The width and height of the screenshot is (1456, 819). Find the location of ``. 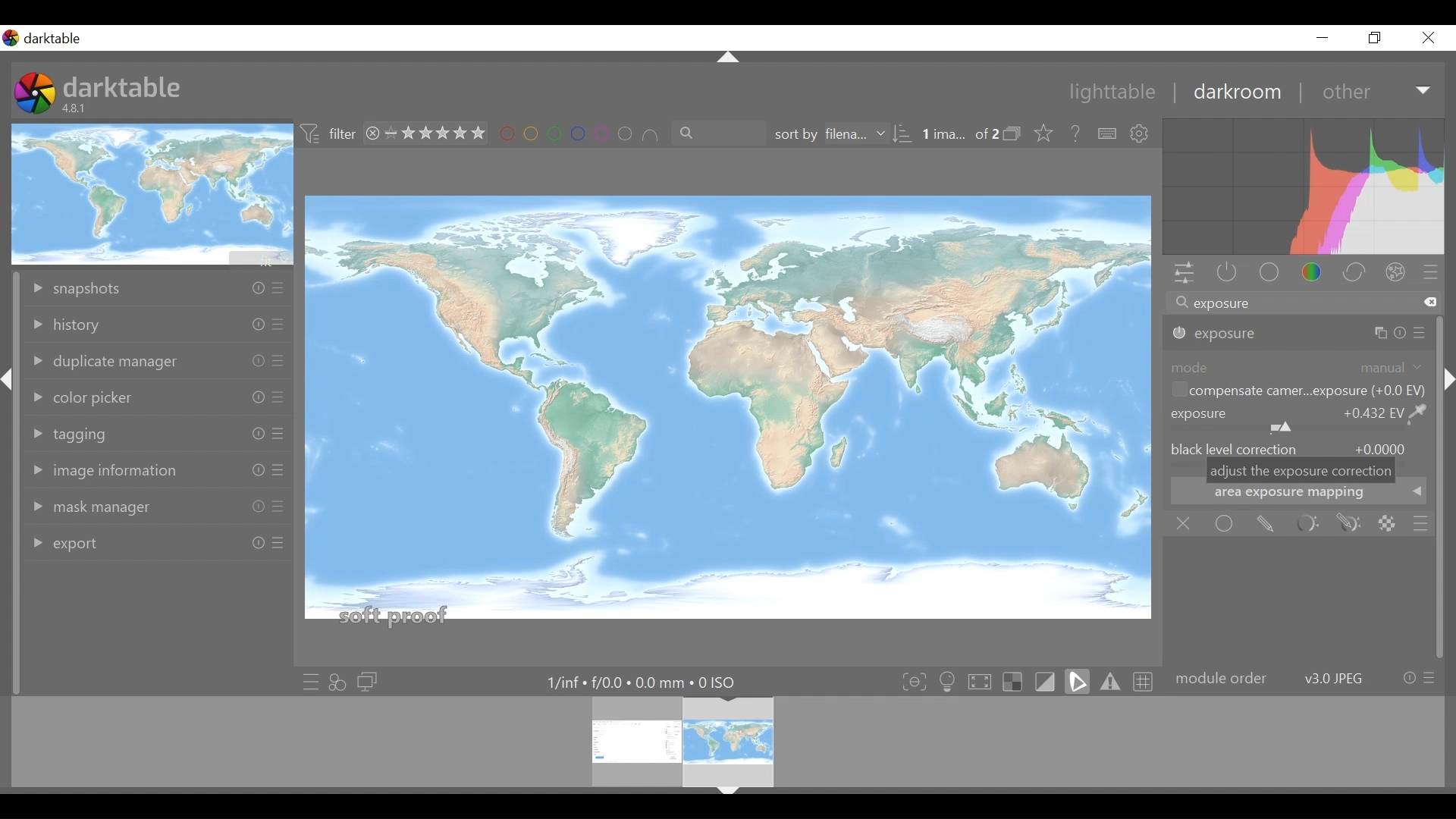

 is located at coordinates (1423, 333).